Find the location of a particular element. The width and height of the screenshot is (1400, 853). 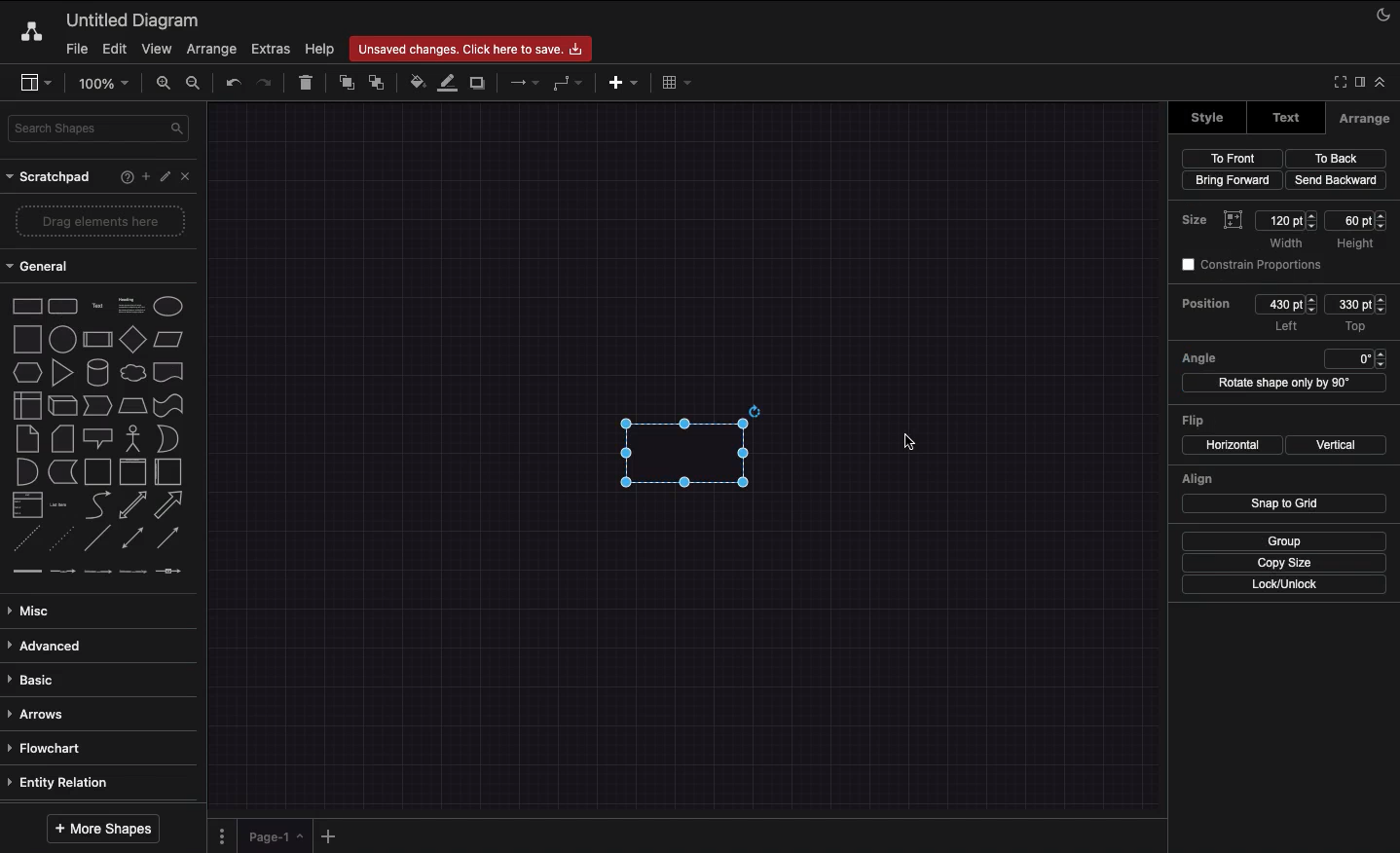

Sidebar is located at coordinates (35, 83).